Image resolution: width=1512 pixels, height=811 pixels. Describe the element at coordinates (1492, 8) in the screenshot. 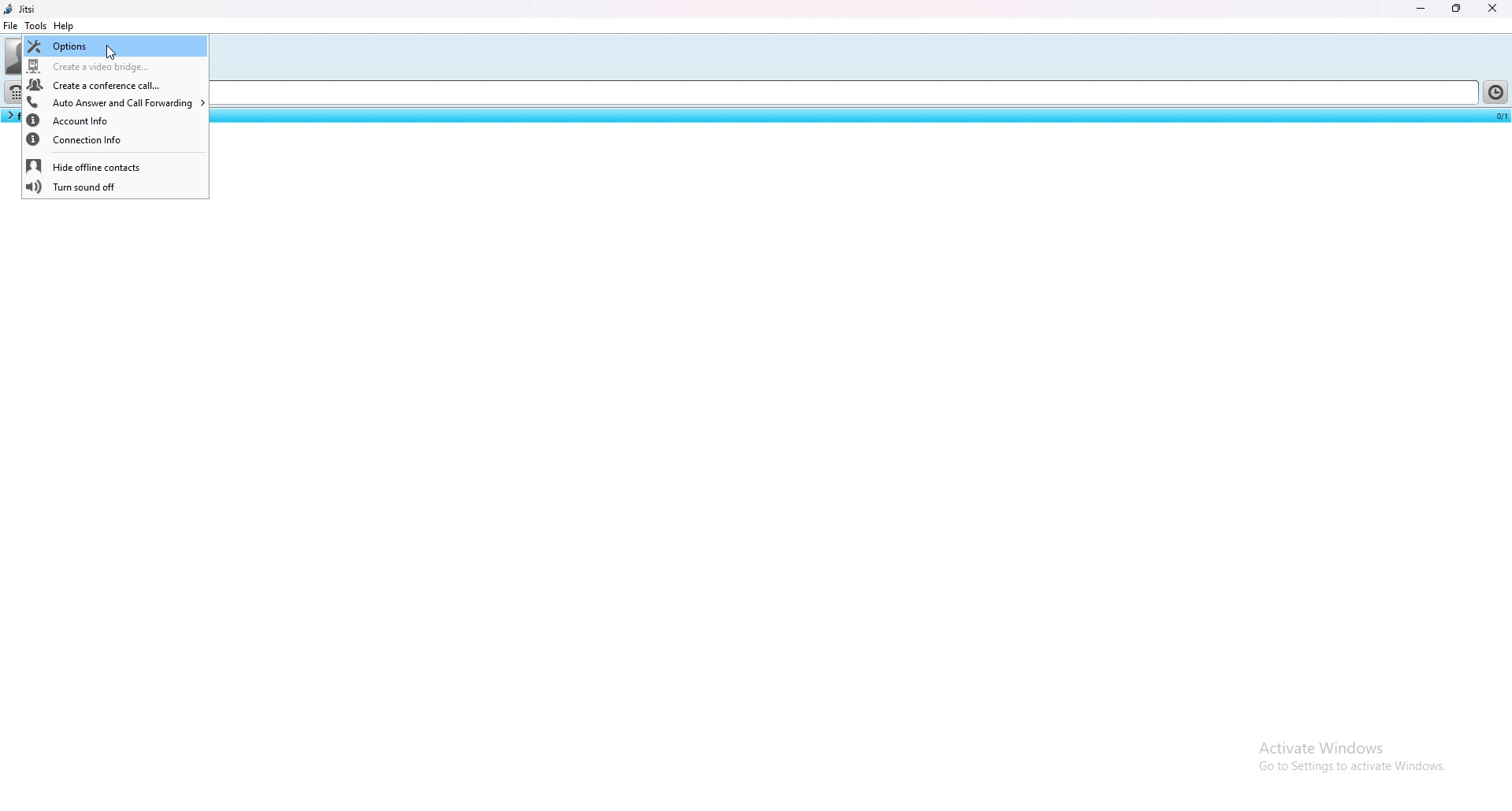

I see `close` at that location.